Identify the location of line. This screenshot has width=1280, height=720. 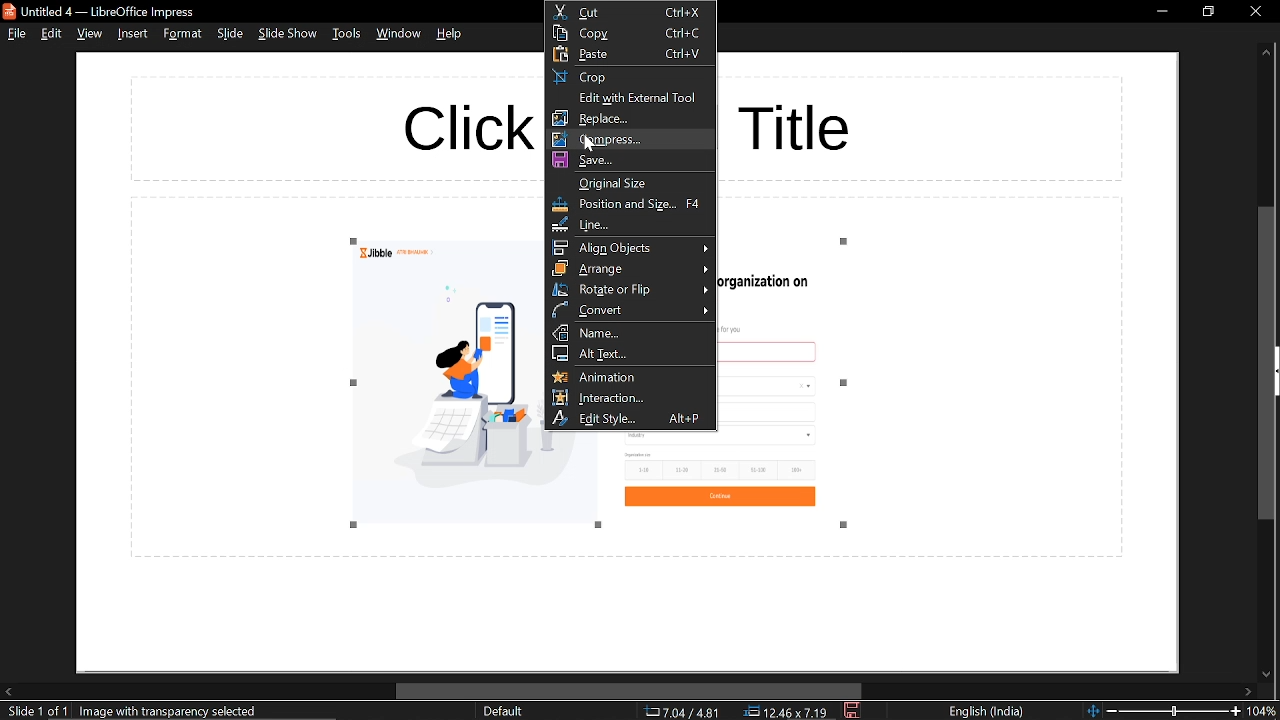
(630, 226).